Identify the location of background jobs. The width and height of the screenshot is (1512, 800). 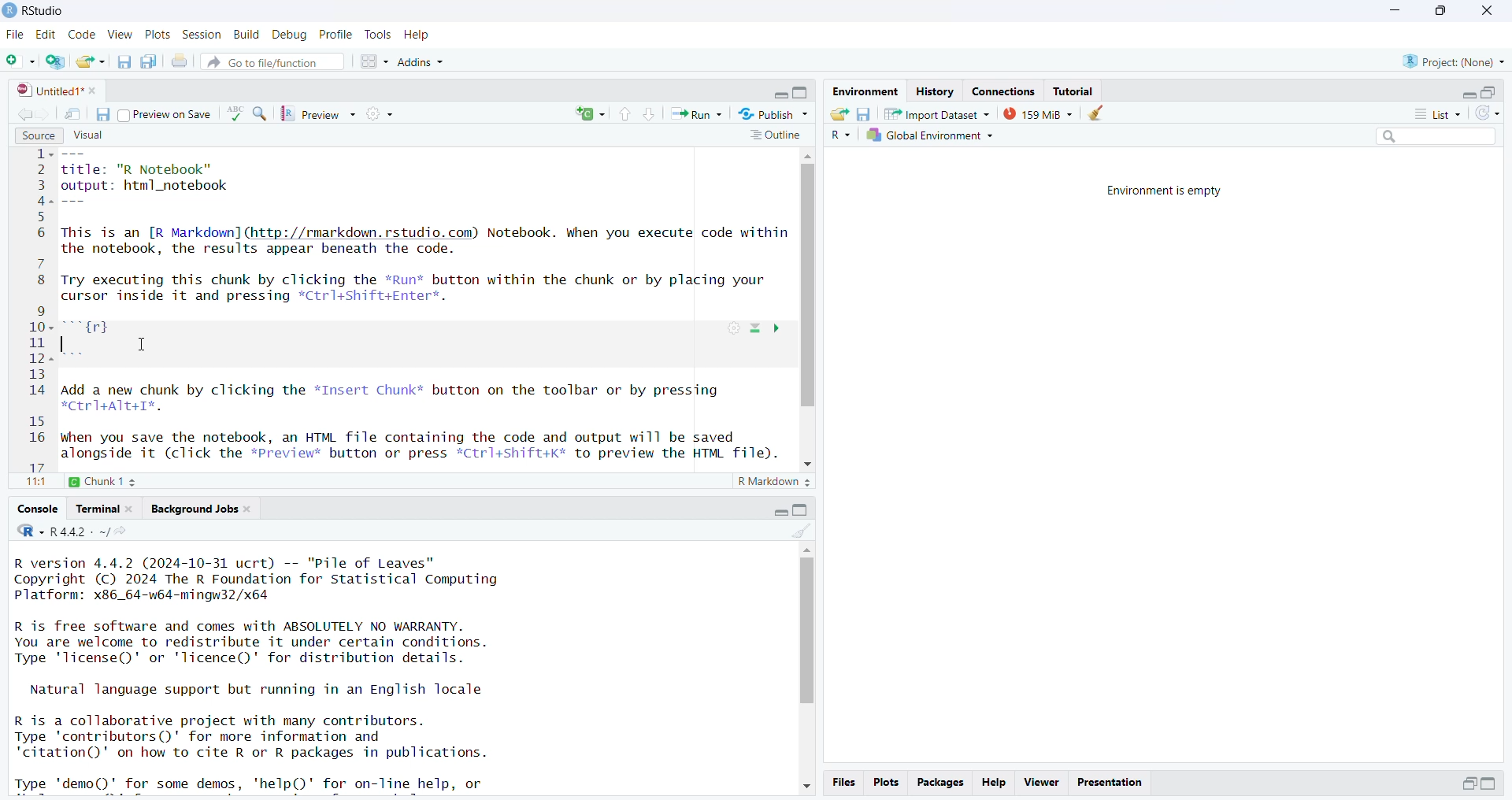
(202, 509).